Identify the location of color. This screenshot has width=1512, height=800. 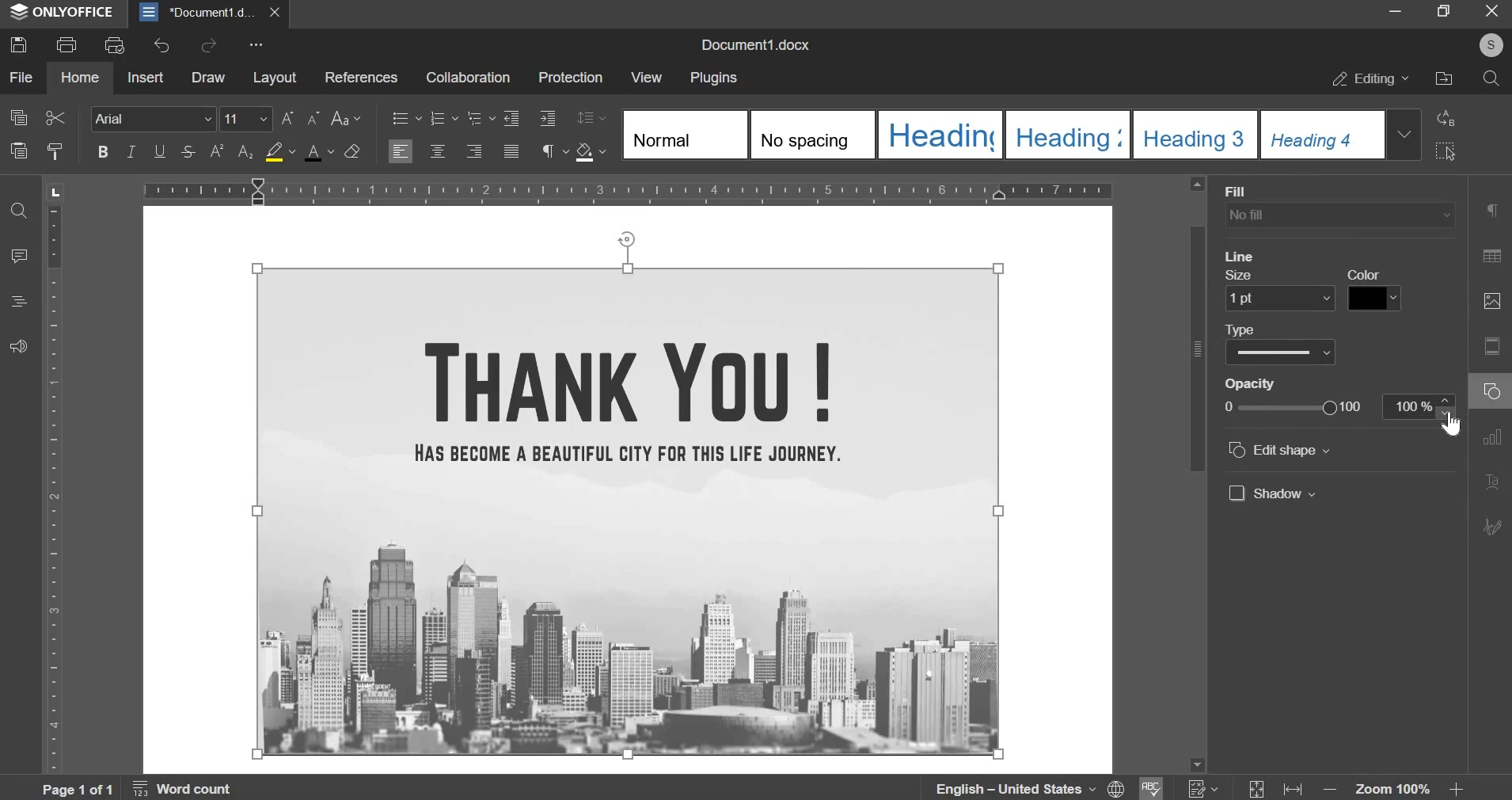
(1374, 289).